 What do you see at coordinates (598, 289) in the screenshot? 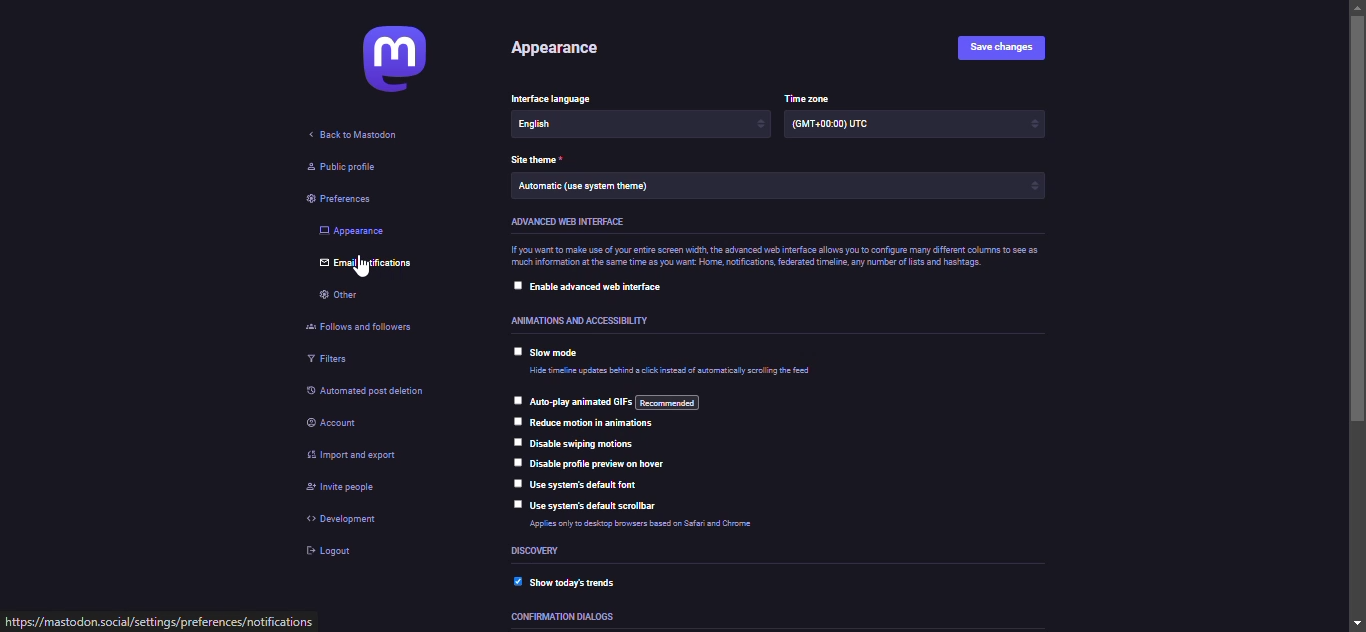
I see `enable advanced web interface` at bounding box center [598, 289].